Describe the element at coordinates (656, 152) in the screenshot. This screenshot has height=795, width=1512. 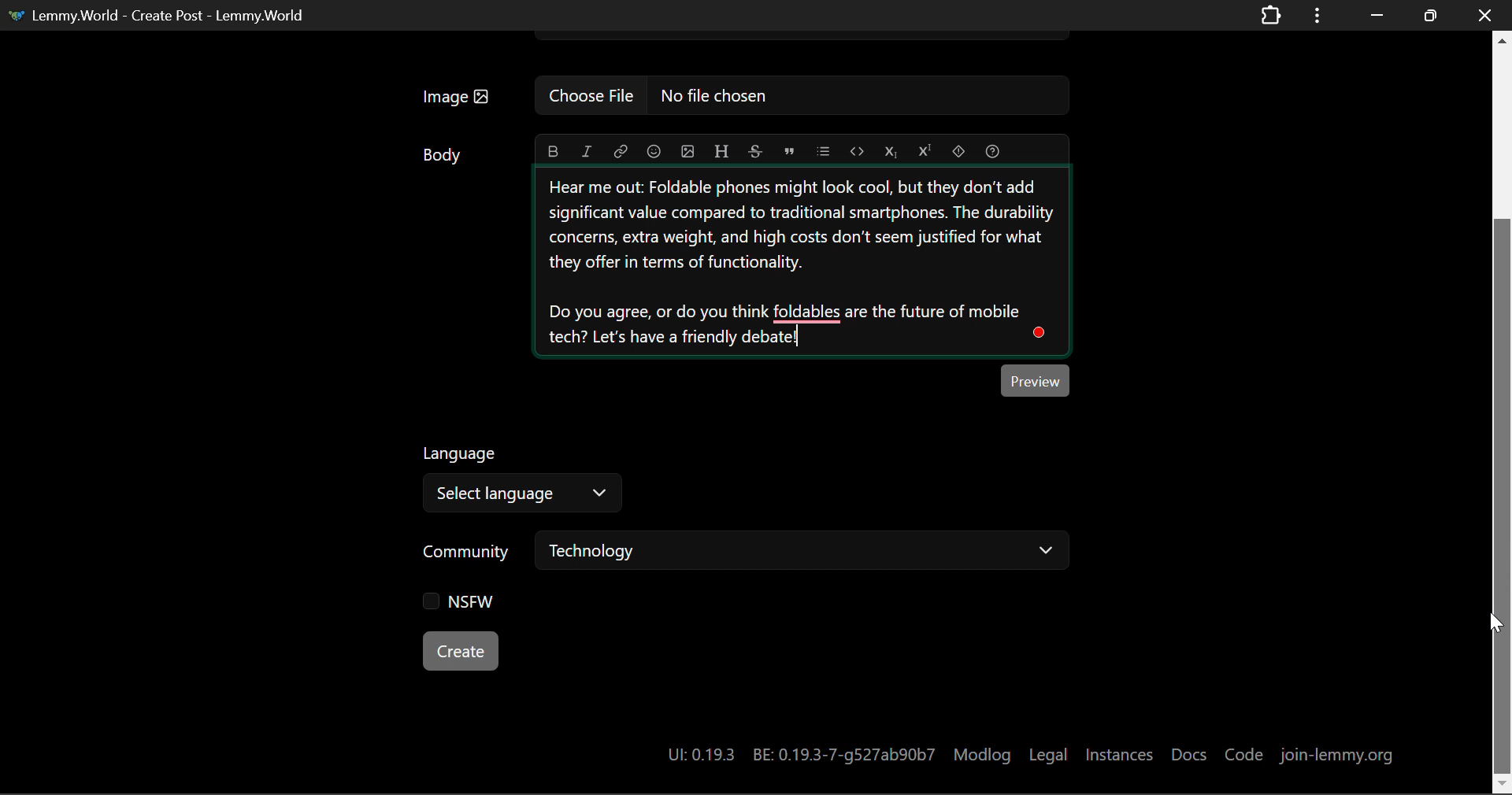
I see `emoji` at that location.